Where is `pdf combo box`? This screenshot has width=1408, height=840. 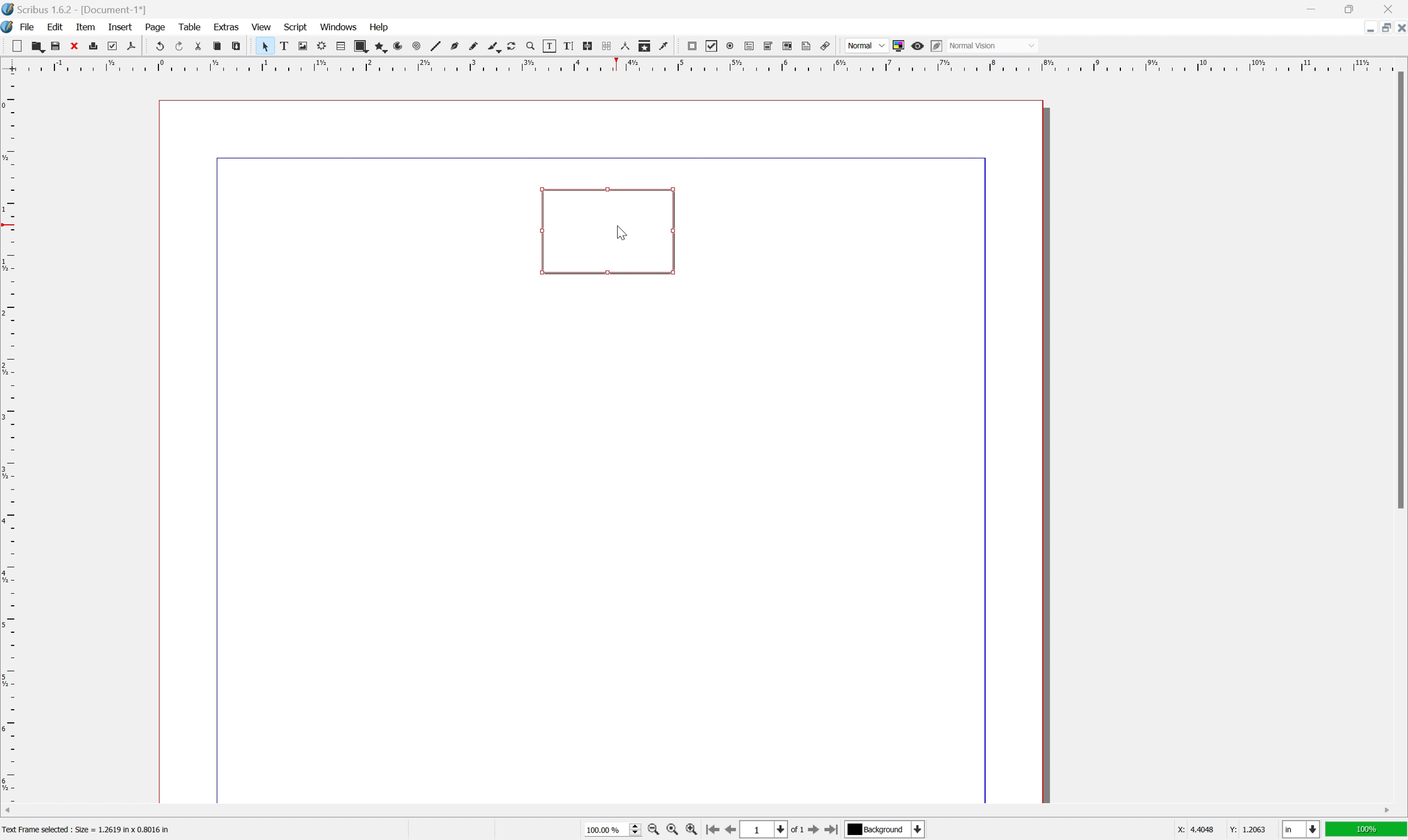 pdf combo box is located at coordinates (769, 45).